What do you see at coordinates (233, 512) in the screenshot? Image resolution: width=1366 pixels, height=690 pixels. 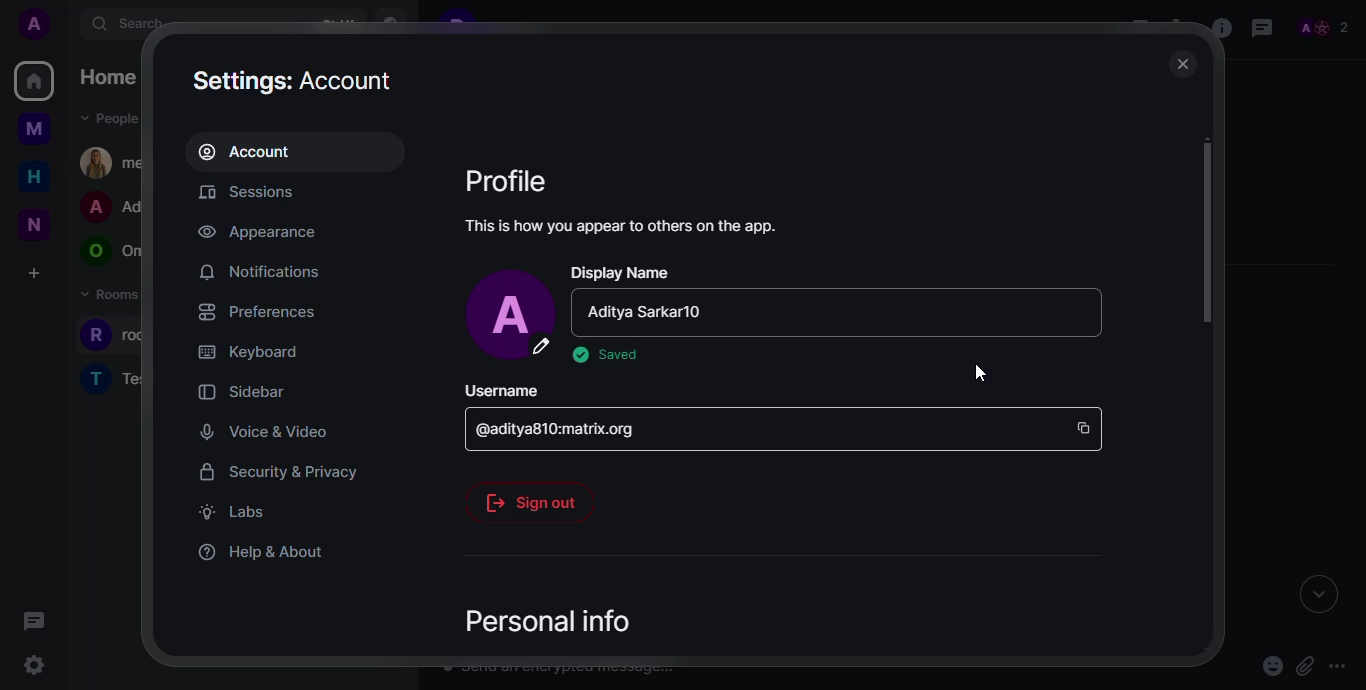 I see `labs` at bounding box center [233, 512].